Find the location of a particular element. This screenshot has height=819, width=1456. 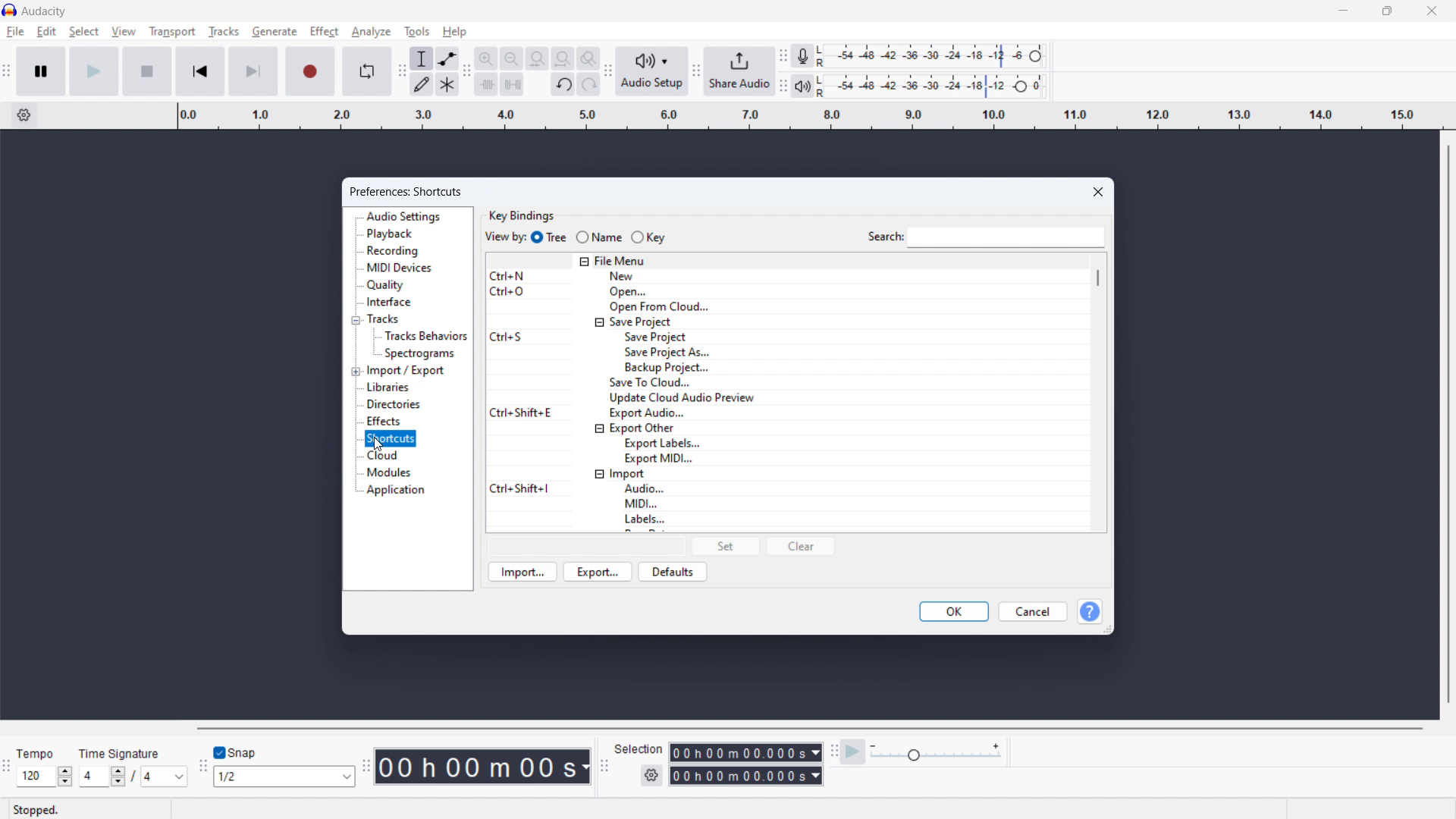

Input set tempo manually is located at coordinates (36, 777).